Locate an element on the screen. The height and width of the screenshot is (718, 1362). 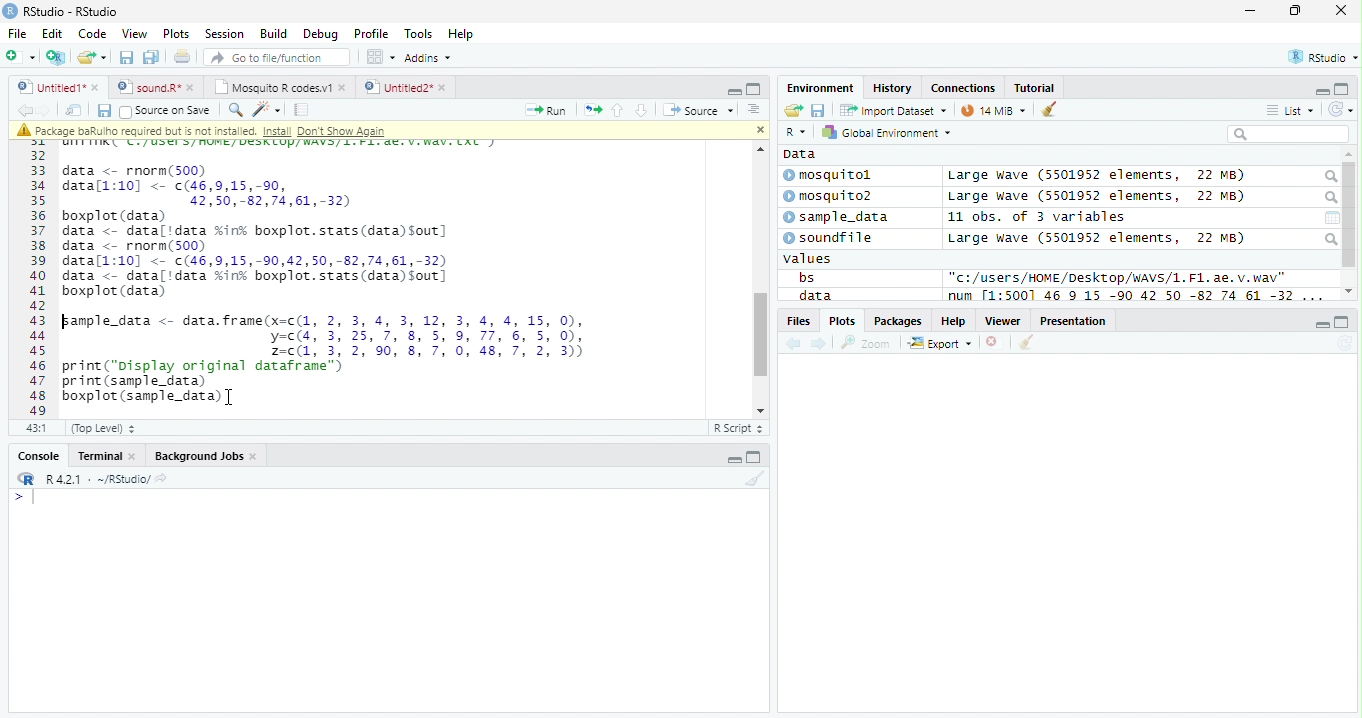
minimize is located at coordinates (1322, 323).